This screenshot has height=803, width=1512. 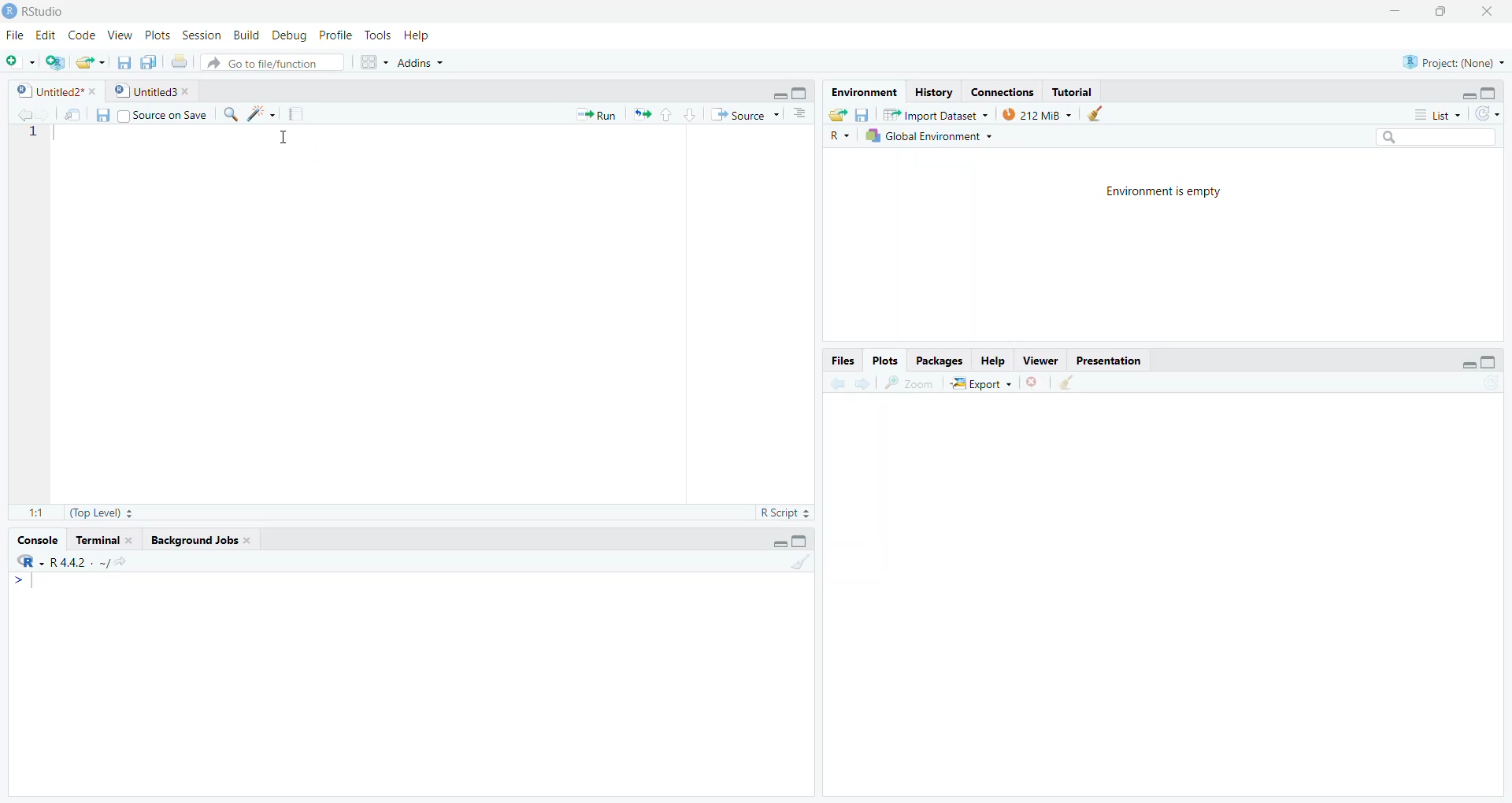 I want to click on code, so click(x=80, y=35).